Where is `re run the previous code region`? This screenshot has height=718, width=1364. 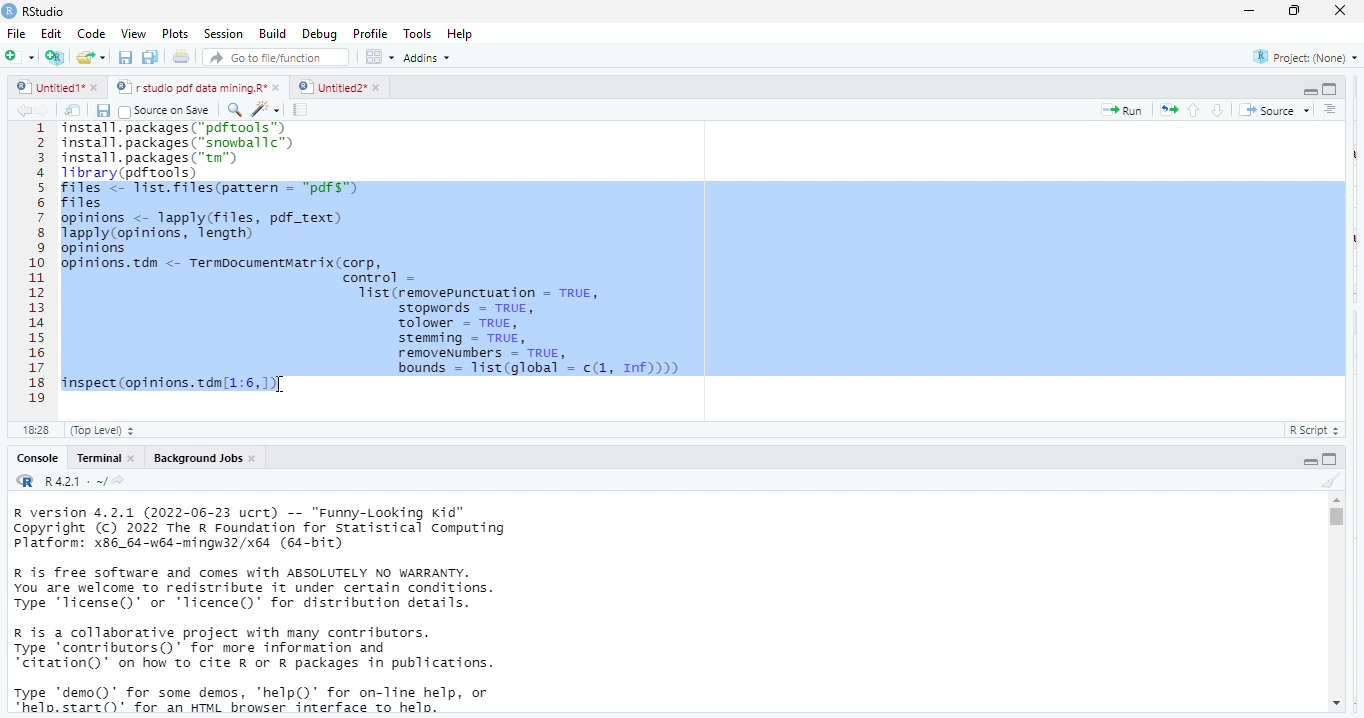
re run the previous code region is located at coordinates (1165, 109).